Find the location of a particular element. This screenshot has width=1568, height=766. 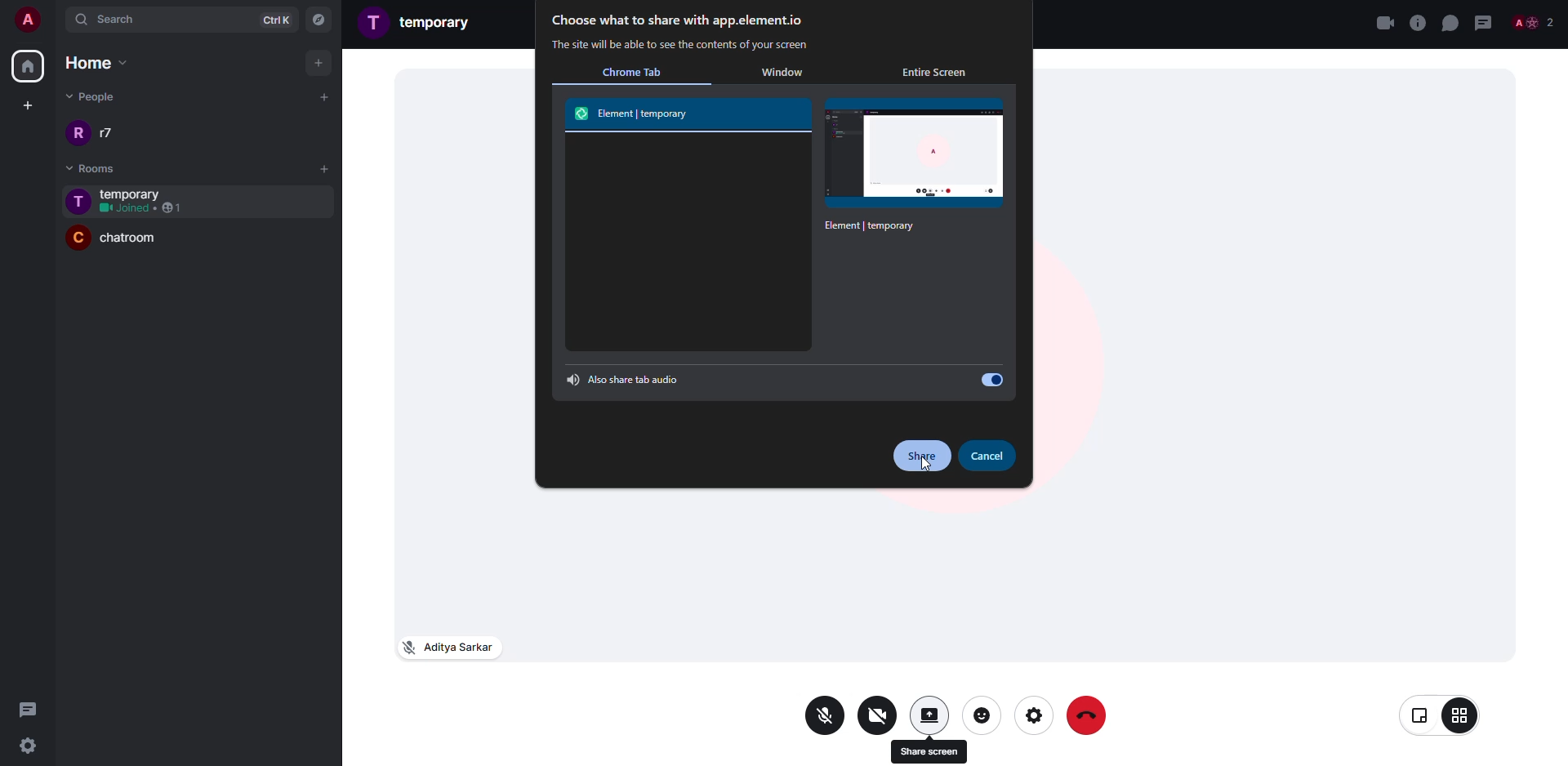

home is located at coordinates (91, 62).